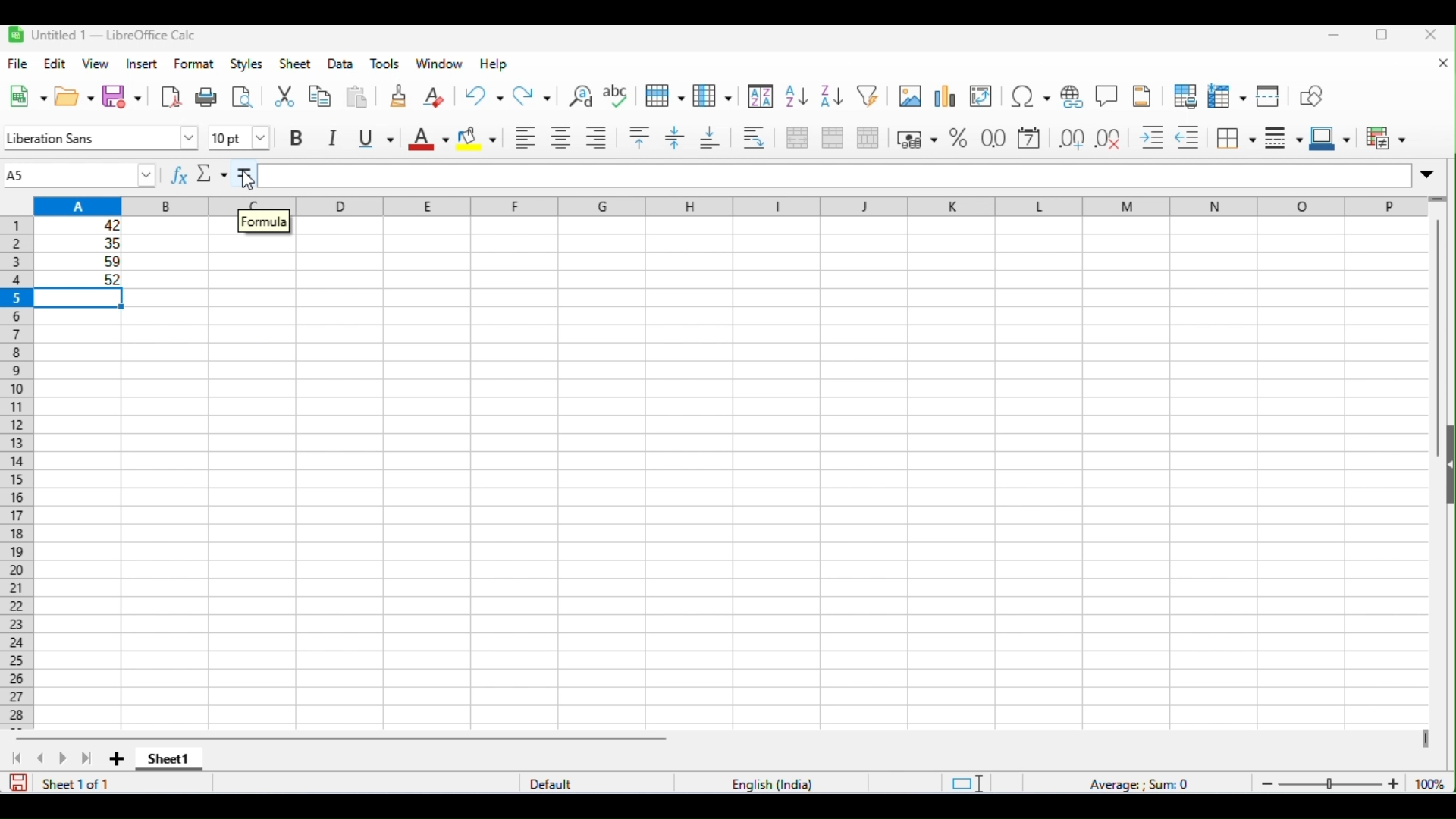 The width and height of the screenshot is (1456, 819). I want to click on cut, so click(287, 97).